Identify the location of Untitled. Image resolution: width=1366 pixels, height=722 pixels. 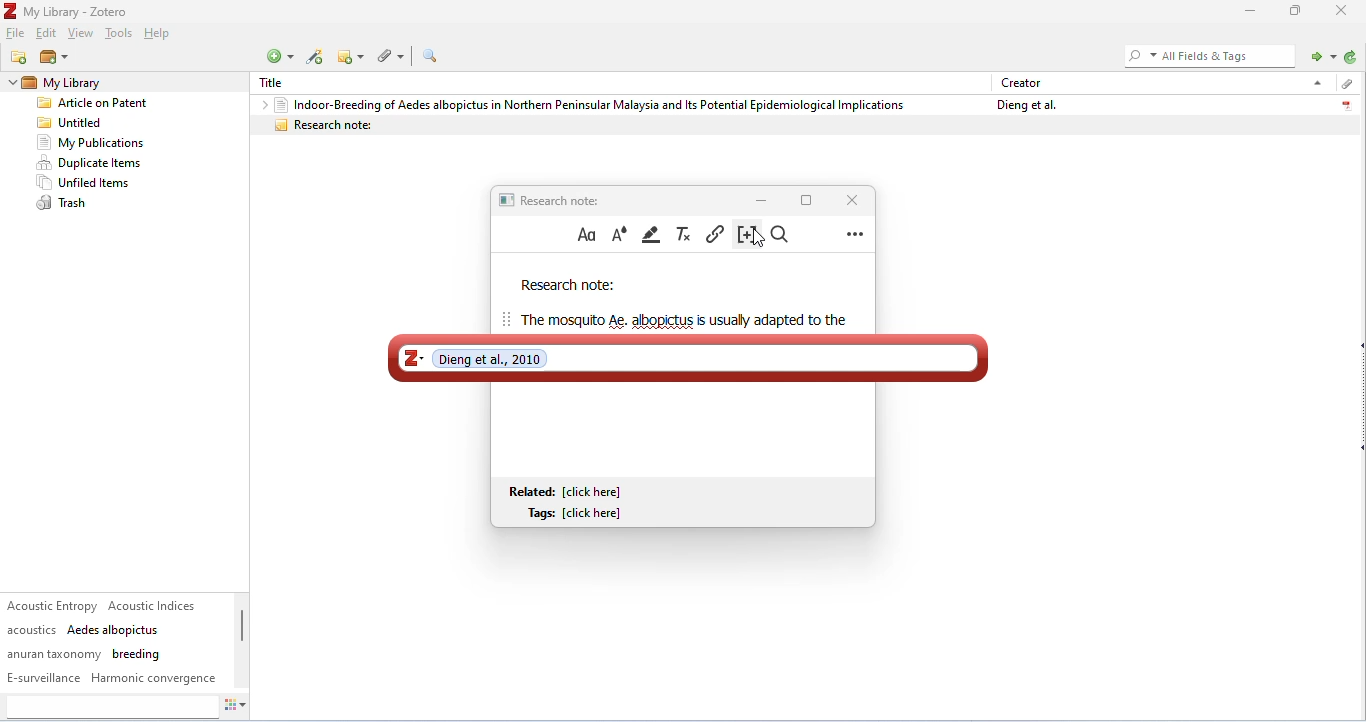
(74, 123).